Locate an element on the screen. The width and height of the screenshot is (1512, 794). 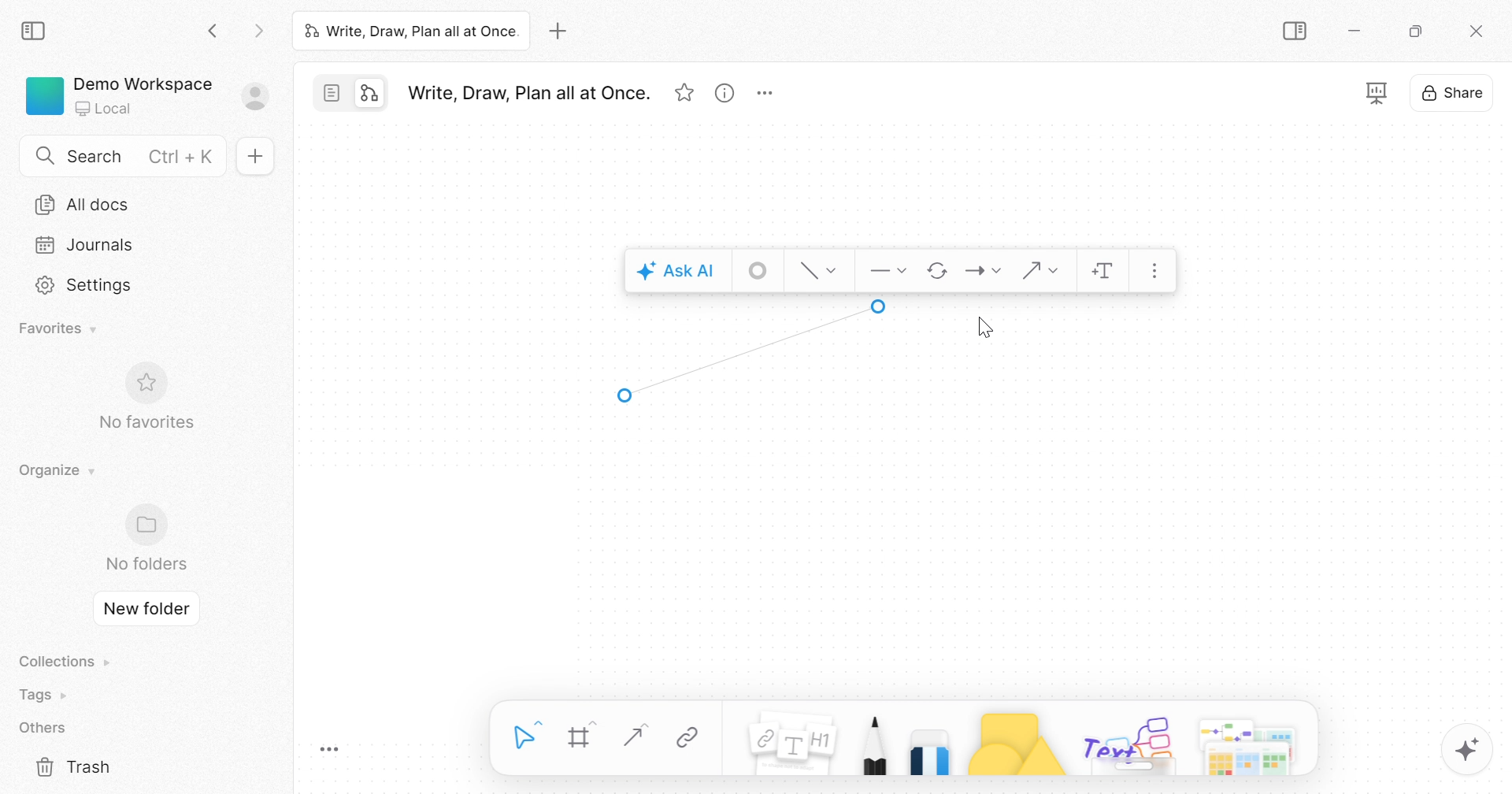
Journals is located at coordinates (80, 244).